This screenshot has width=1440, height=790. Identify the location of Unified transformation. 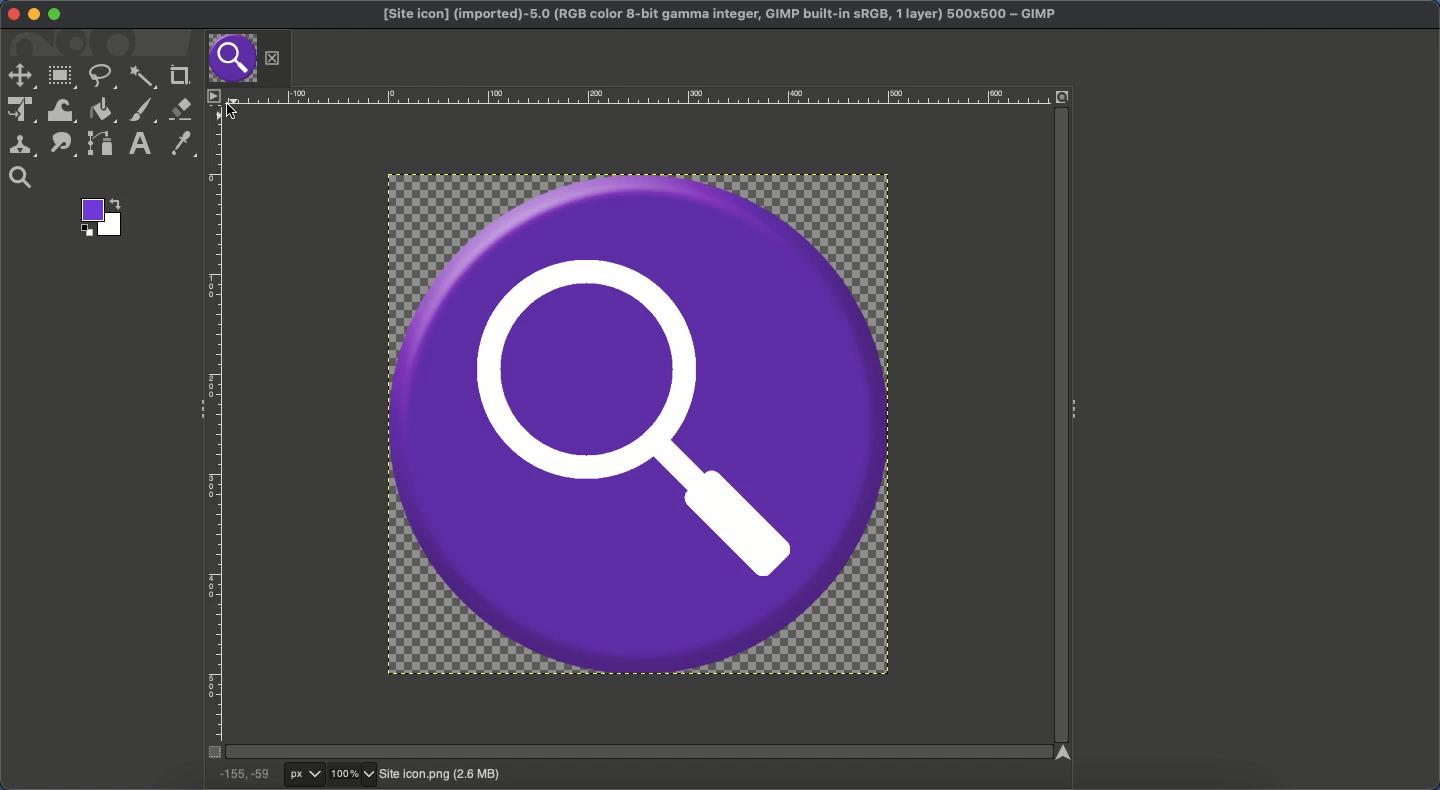
(19, 111).